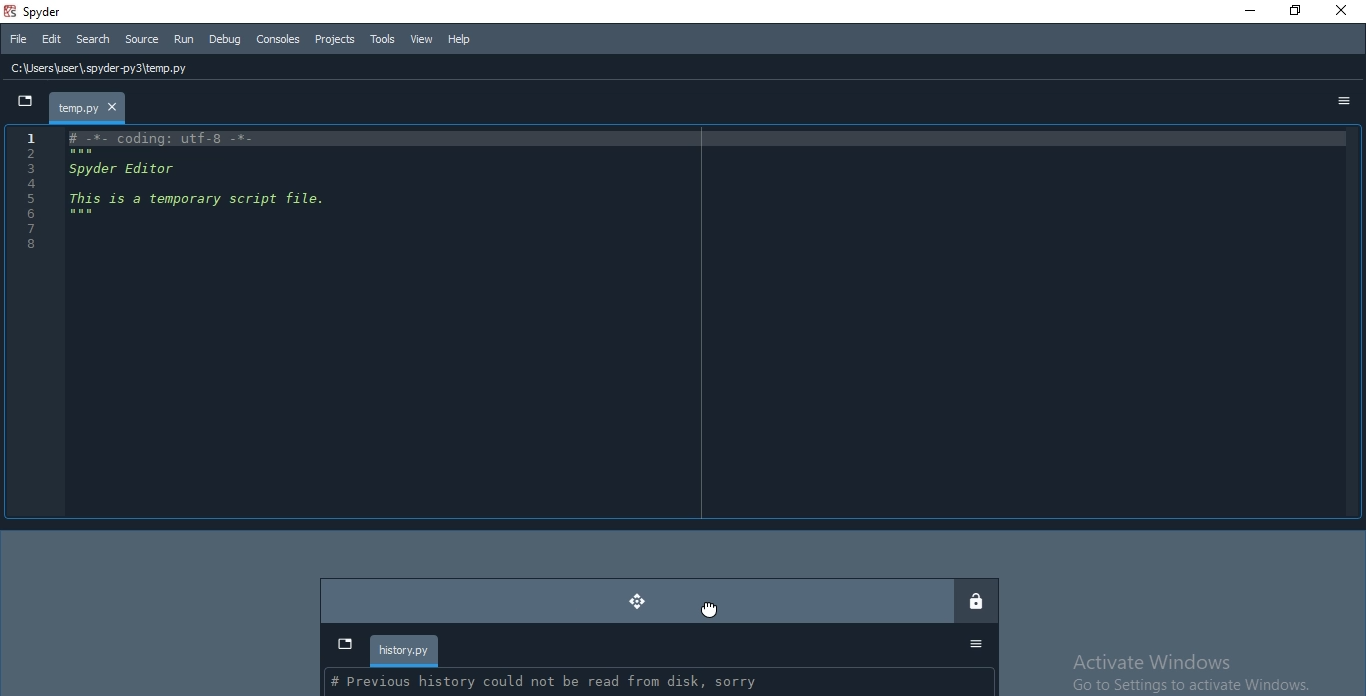  Describe the element at coordinates (143, 39) in the screenshot. I see `Source` at that location.